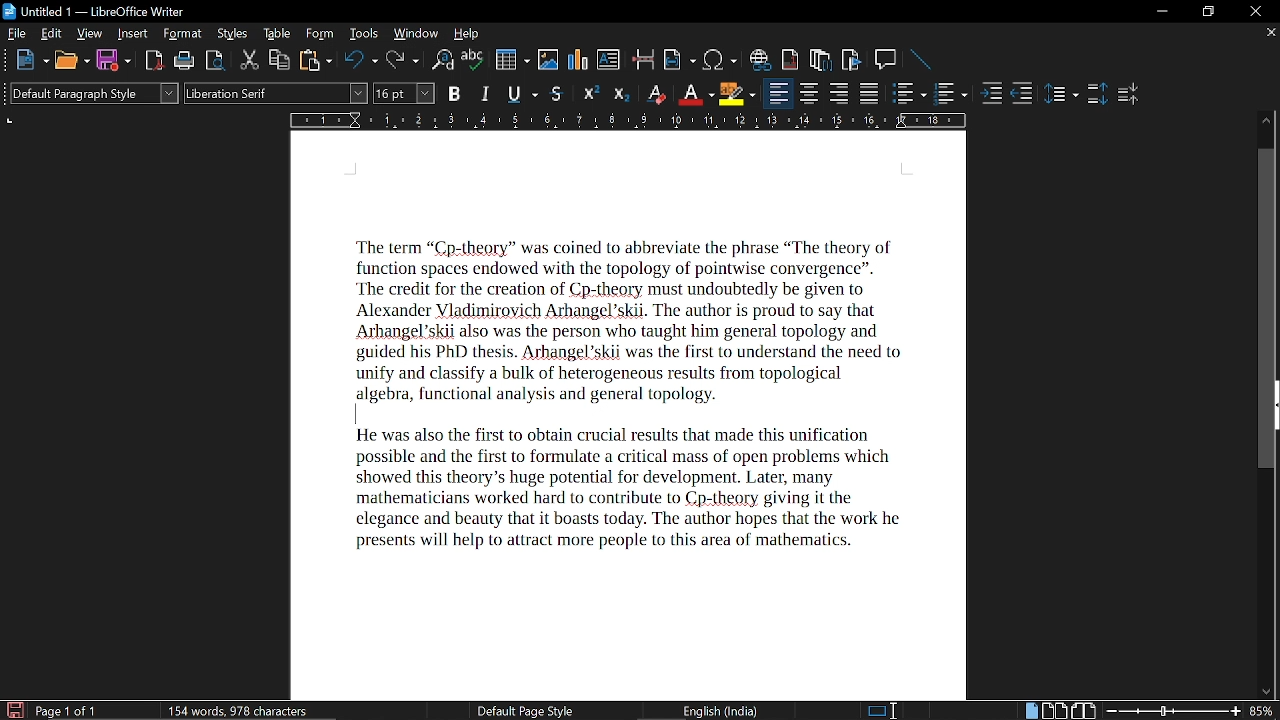  I want to click on Vertical scrollbar, so click(1270, 311).